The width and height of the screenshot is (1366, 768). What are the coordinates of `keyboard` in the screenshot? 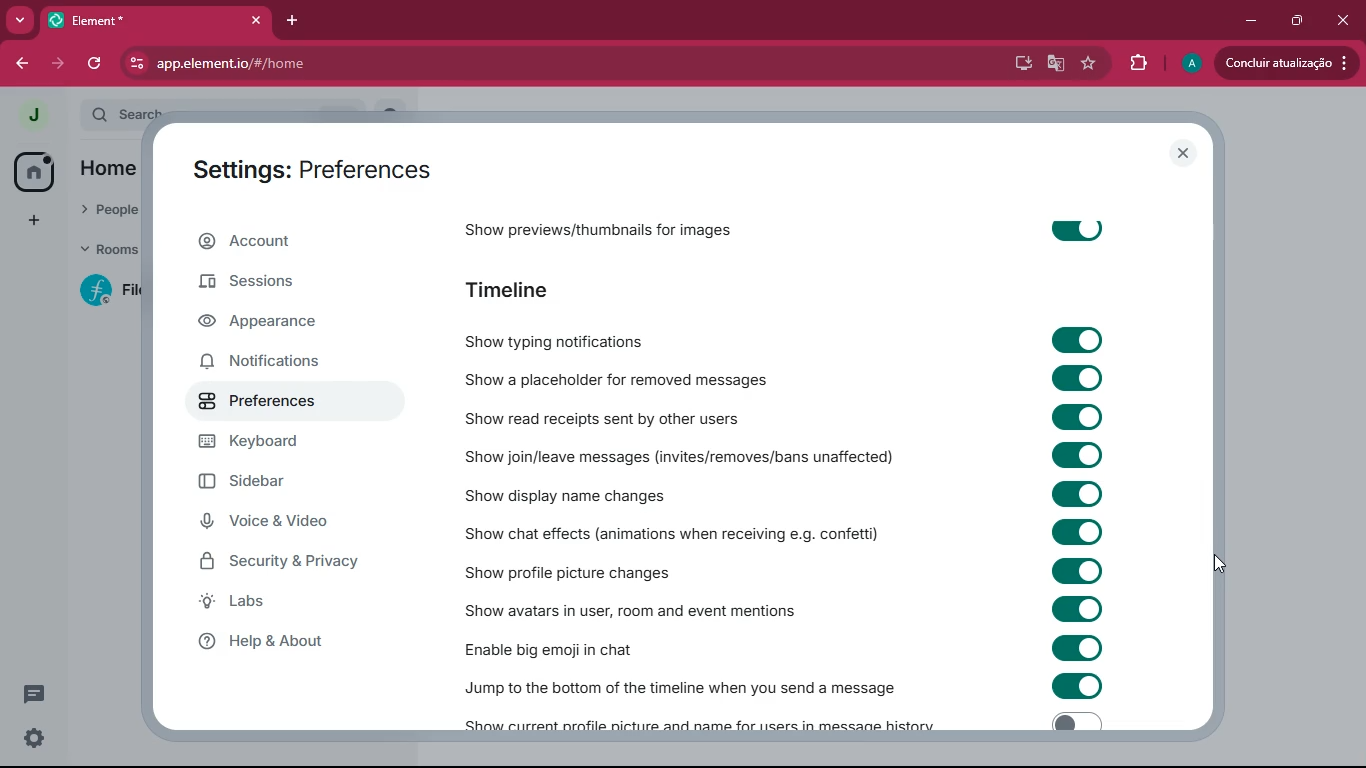 It's located at (286, 444).